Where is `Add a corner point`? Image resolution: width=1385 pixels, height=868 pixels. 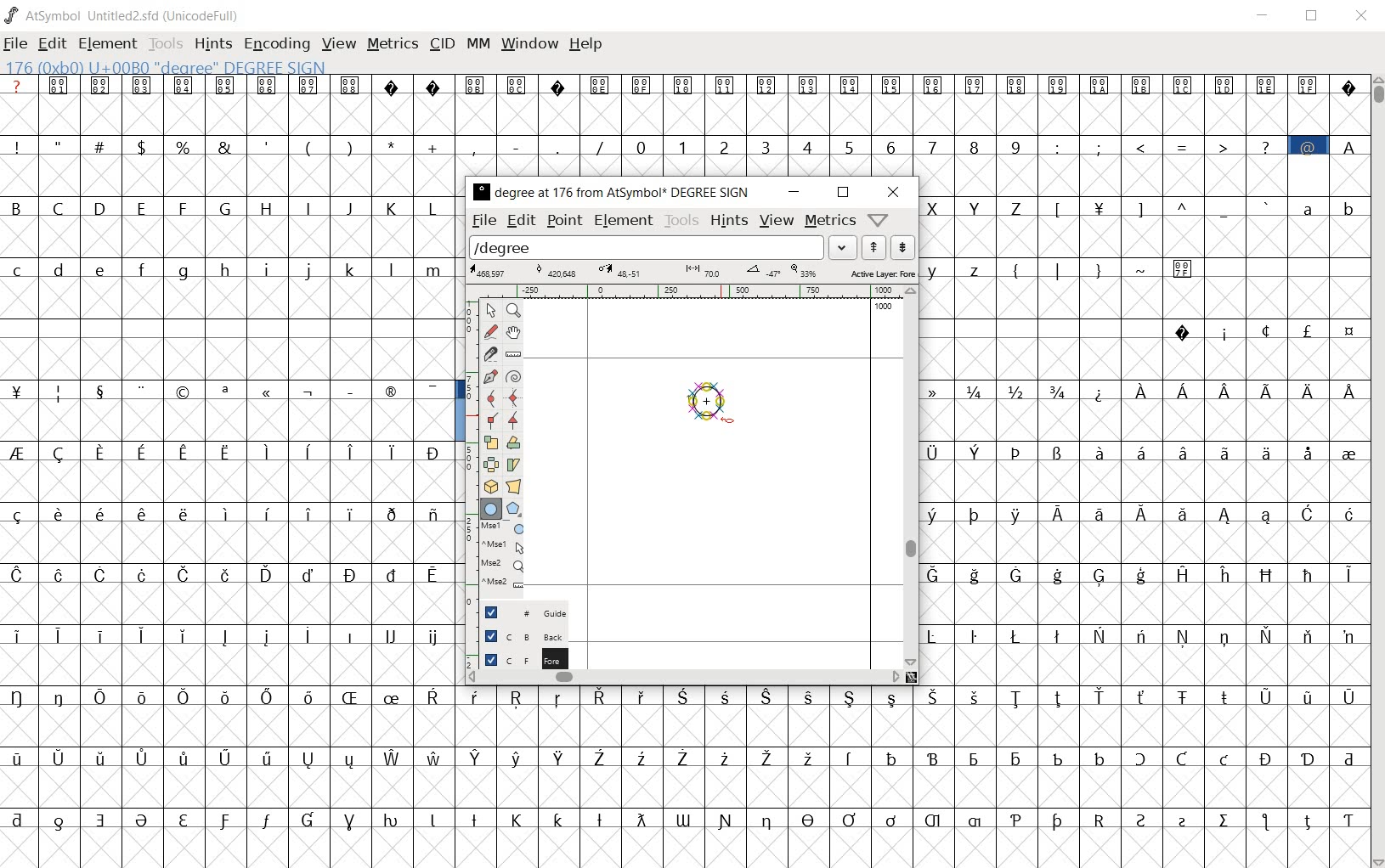 Add a corner point is located at coordinates (490, 422).